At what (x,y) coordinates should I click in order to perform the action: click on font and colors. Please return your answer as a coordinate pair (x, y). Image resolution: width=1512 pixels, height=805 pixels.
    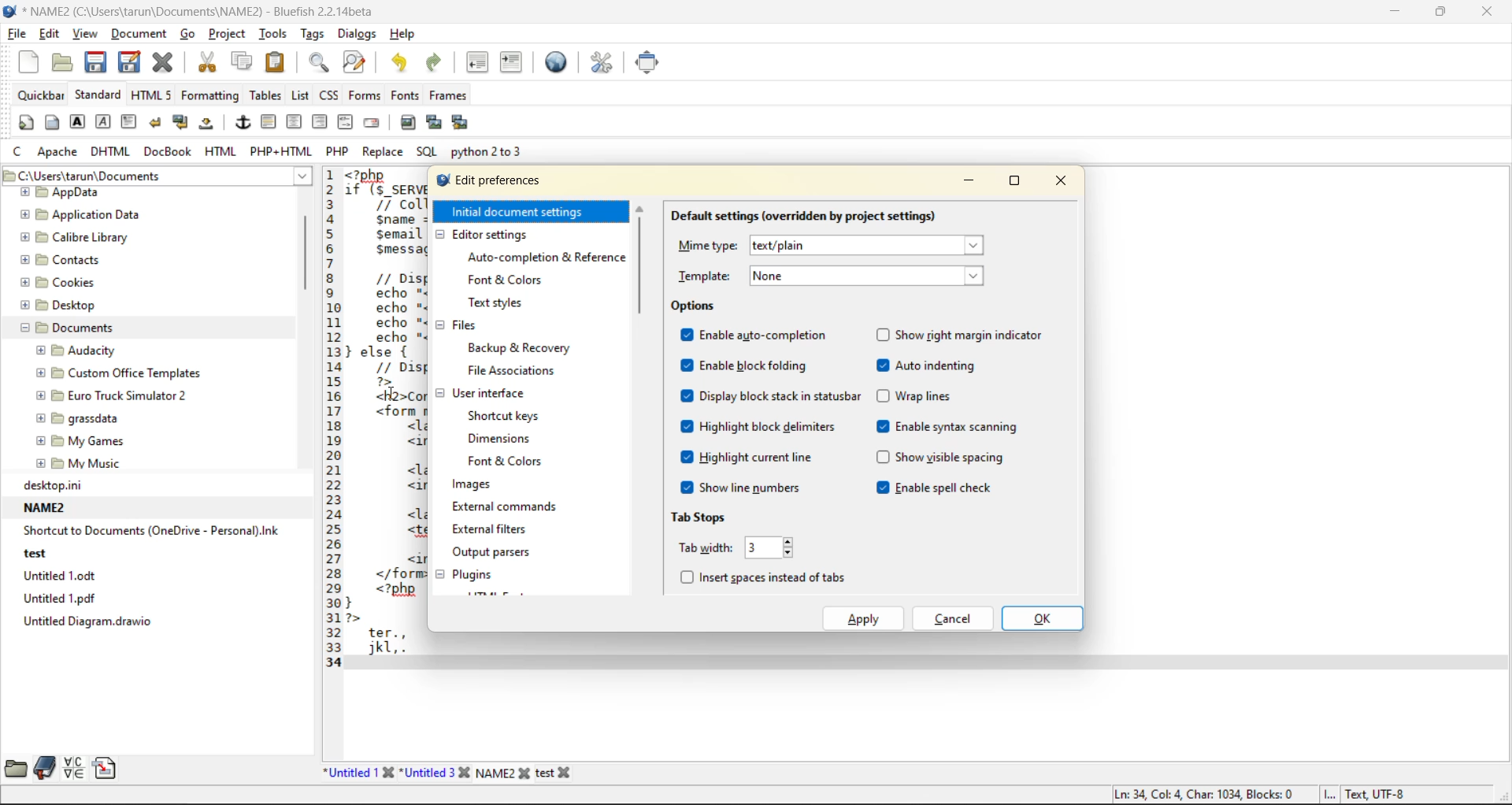
    Looking at the image, I should click on (508, 461).